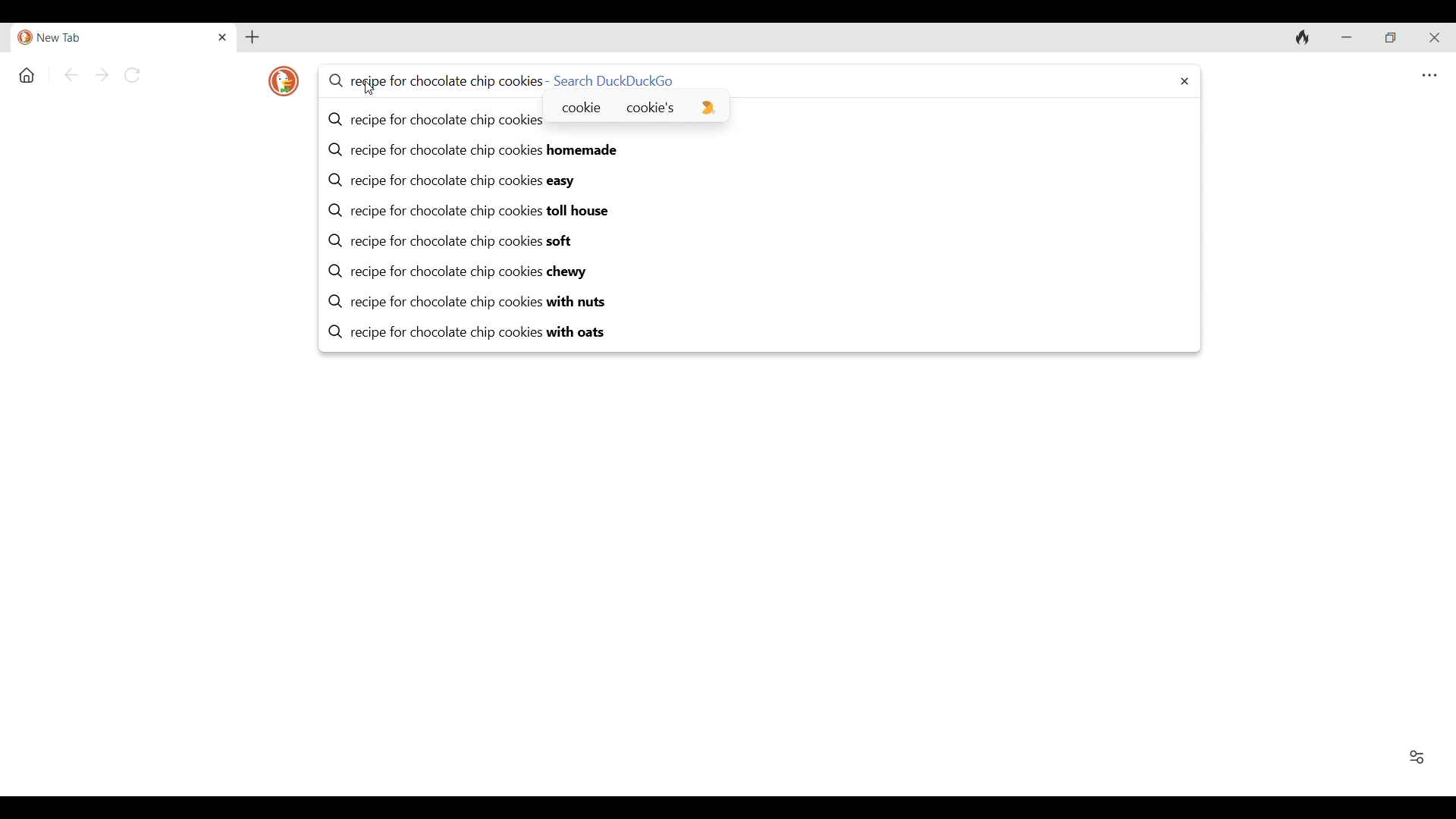 The height and width of the screenshot is (819, 1456). I want to click on recipe for chocolate chip cookies, so click(433, 80).